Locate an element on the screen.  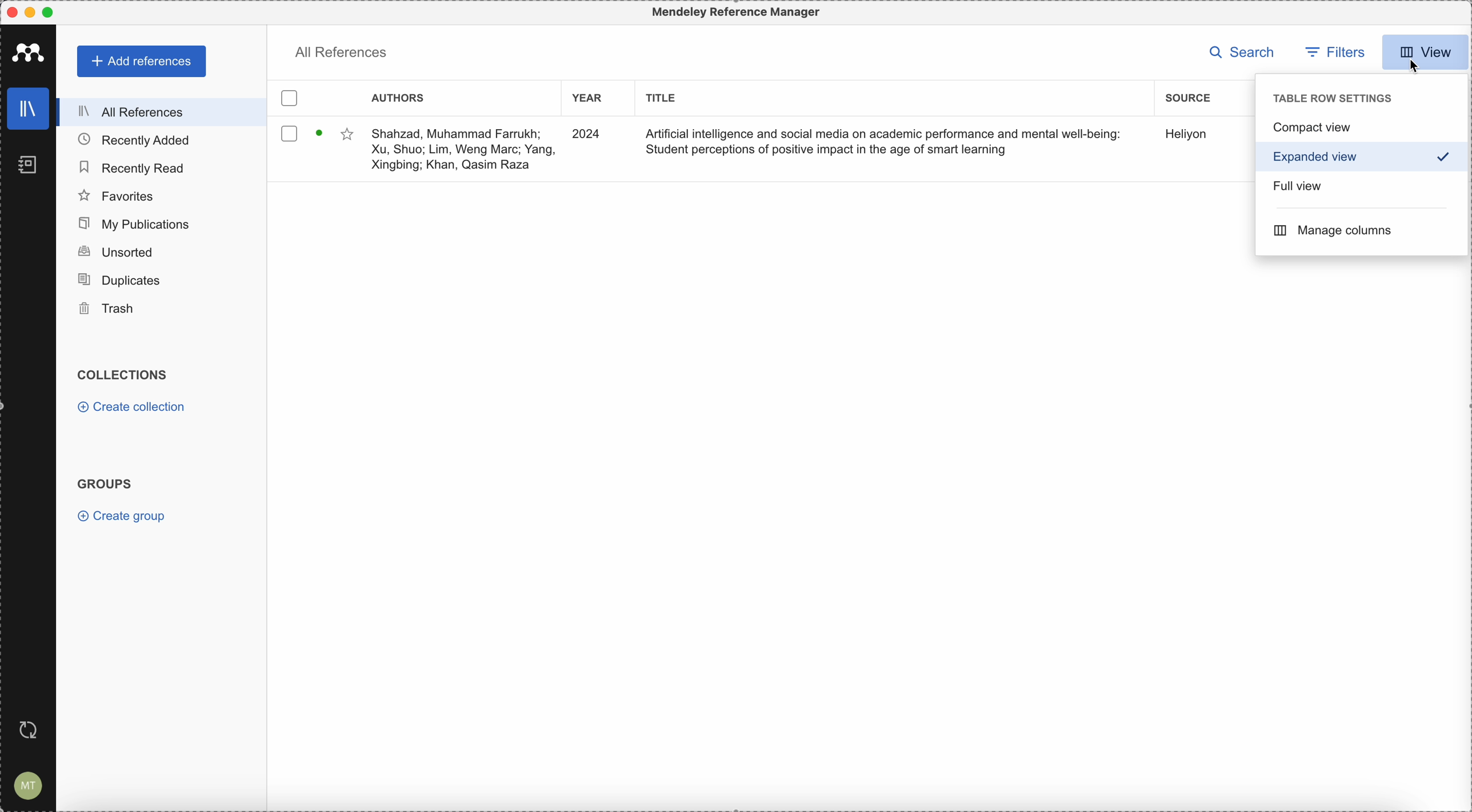
create collection is located at coordinates (134, 407).